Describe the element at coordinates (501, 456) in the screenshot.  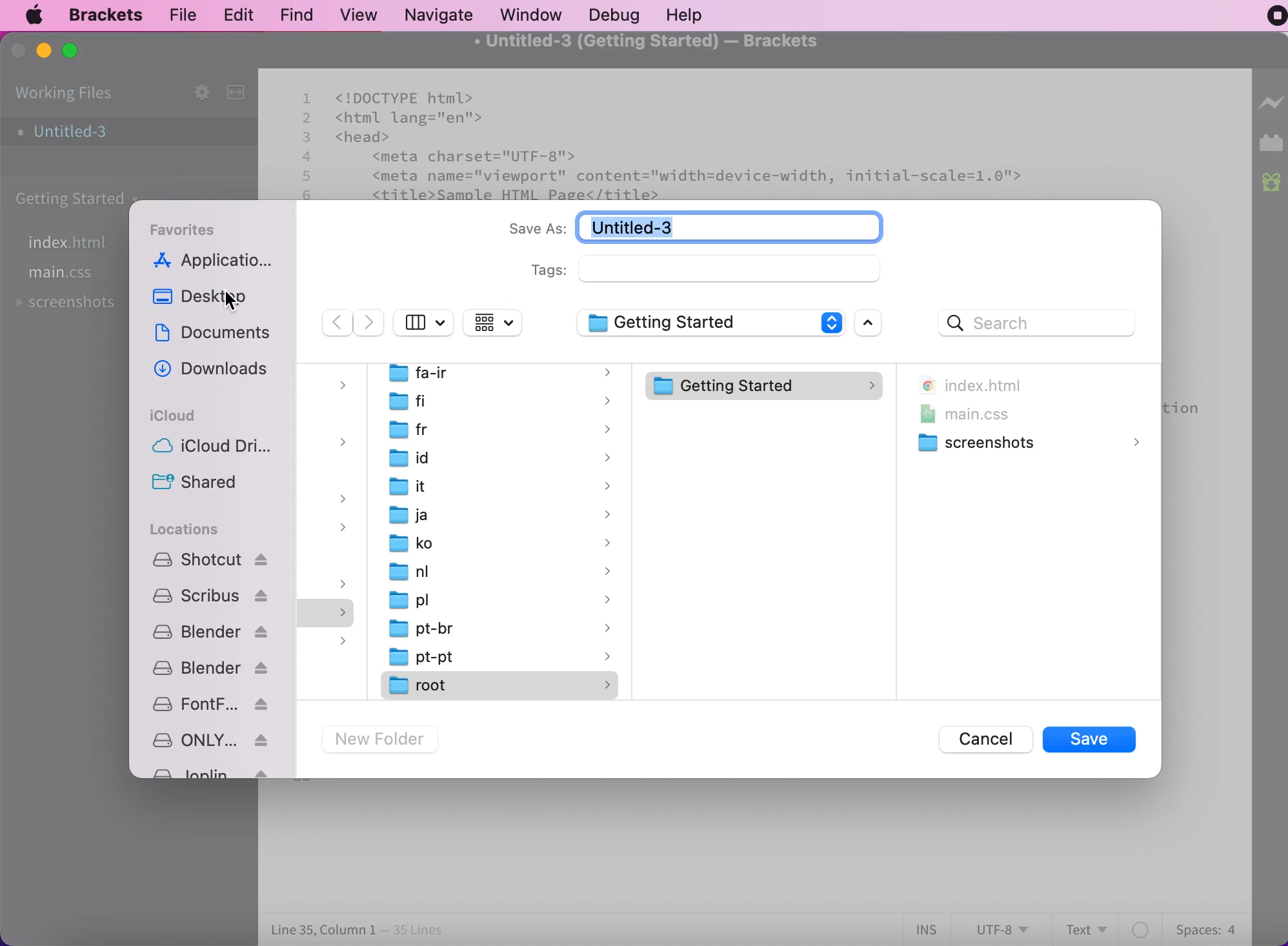
I see `id` at that location.